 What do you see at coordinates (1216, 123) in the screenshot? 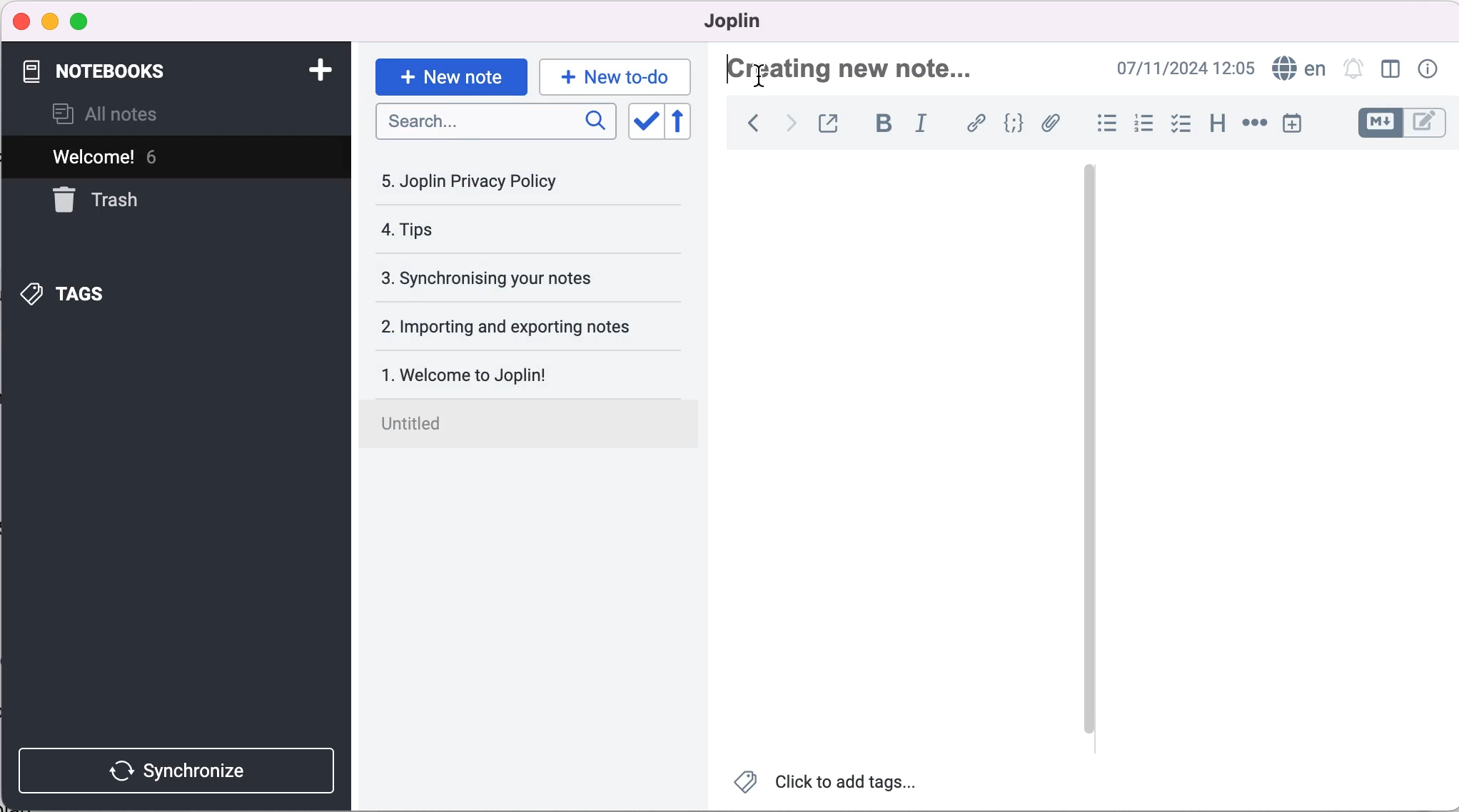
I see `heading` at bounding box center [1216, 123].